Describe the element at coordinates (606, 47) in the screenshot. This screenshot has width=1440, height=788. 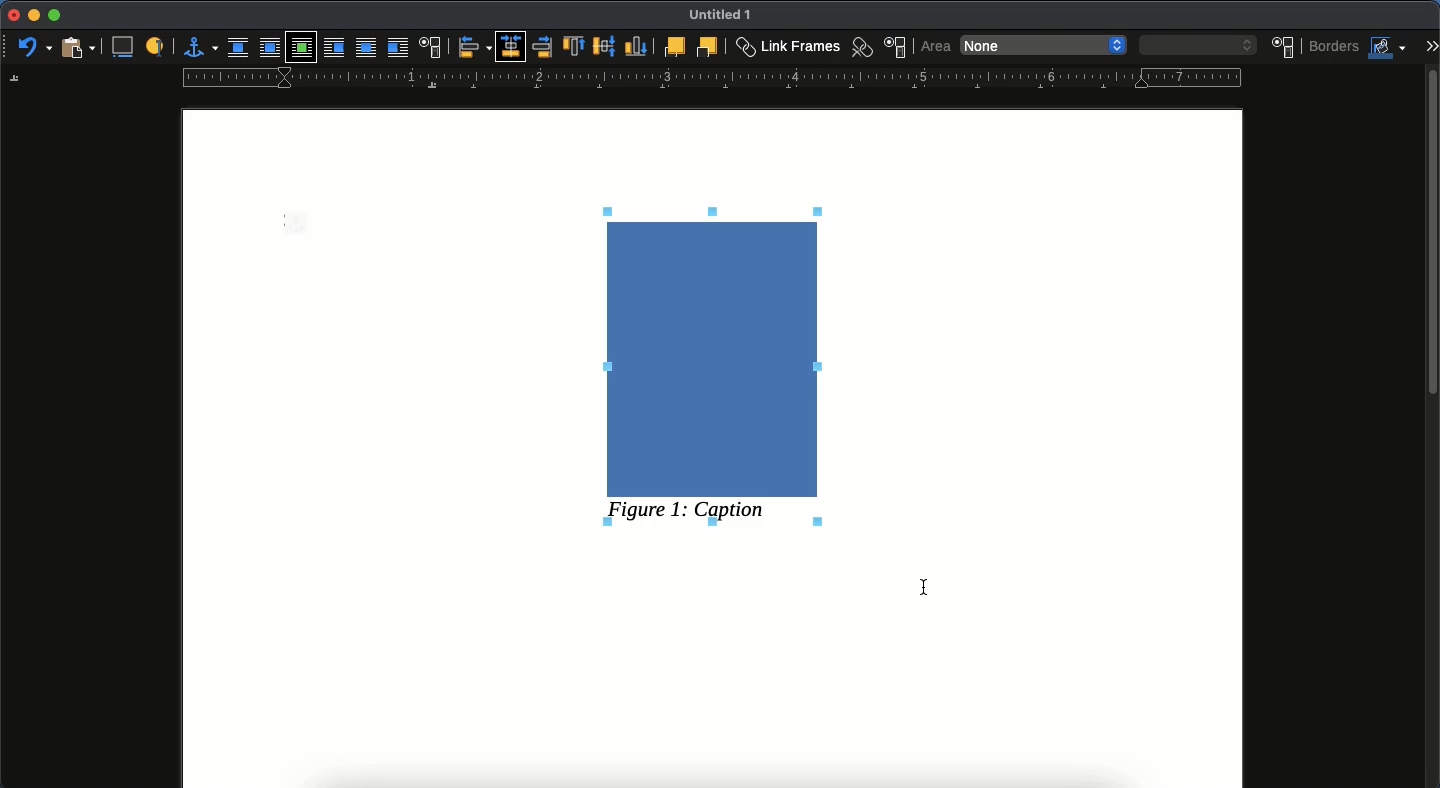
I see `middle to anchor` at that location.